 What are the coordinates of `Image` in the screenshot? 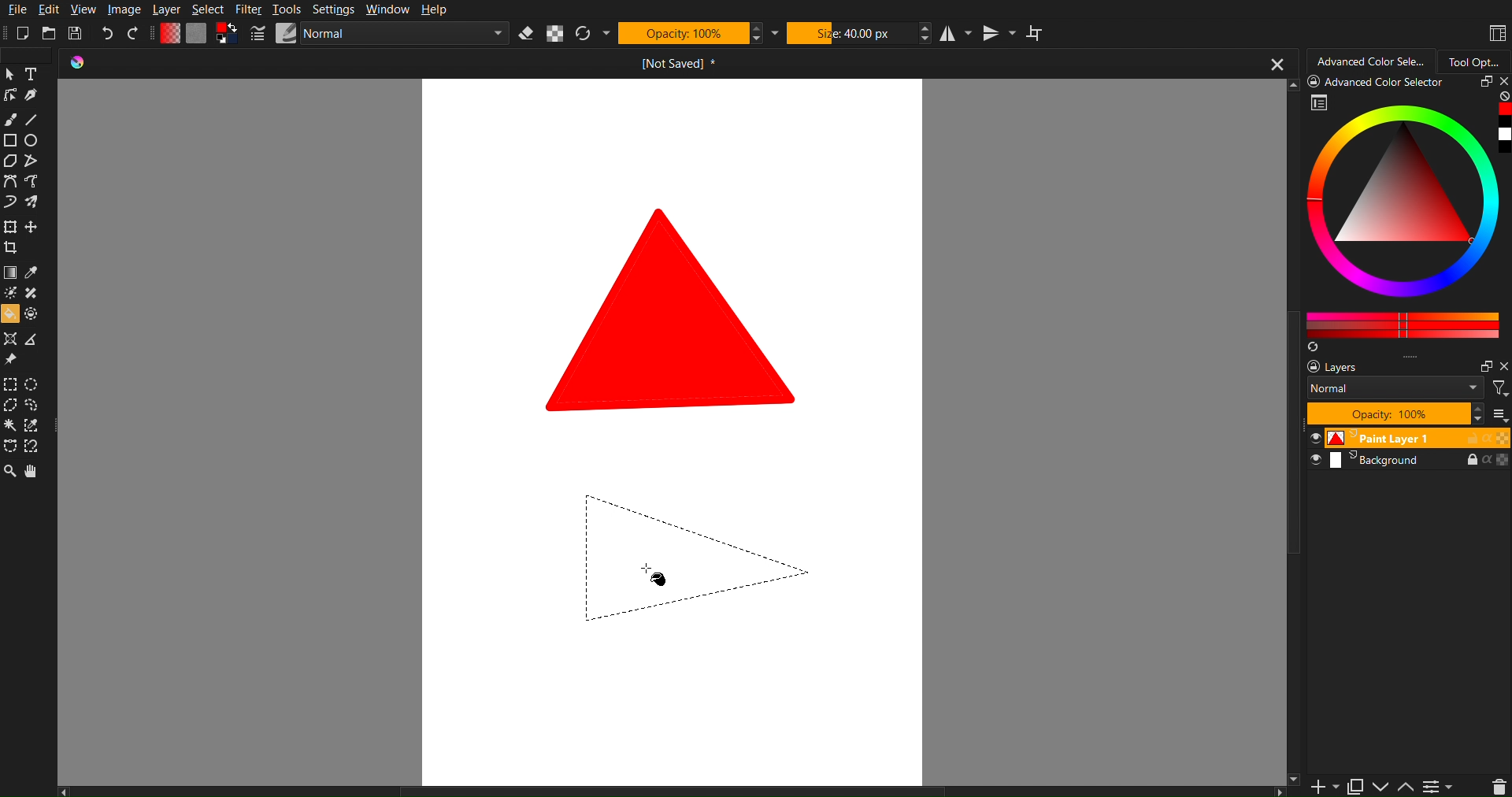 It's located at (128, 9).